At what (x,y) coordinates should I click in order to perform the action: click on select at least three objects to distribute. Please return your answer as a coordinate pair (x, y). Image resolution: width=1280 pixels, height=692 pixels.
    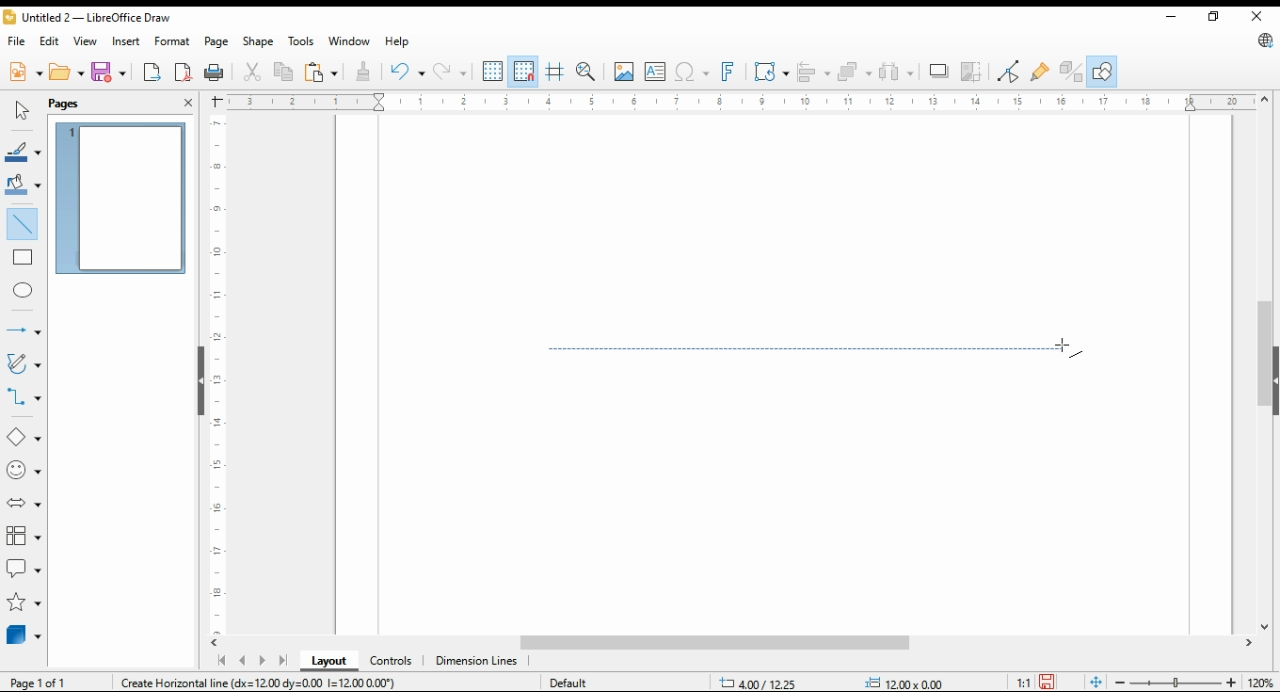
    Looking at the image, I should click on (896, 72).